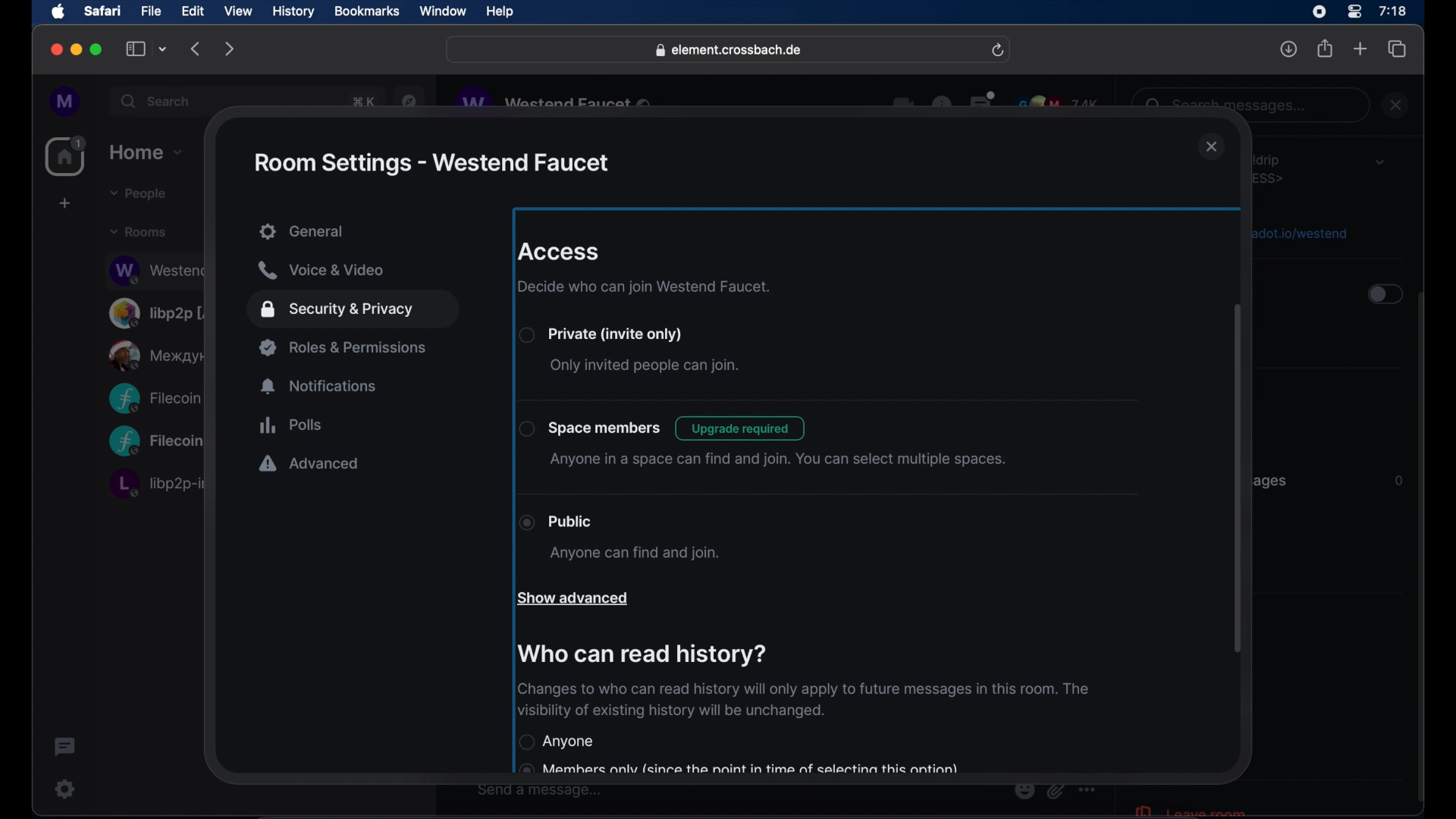 This screenshot has width=1456, height=819. Describe the element at coordinates (1055, 790) in the screenshot. I see `obscure icon` at that location.